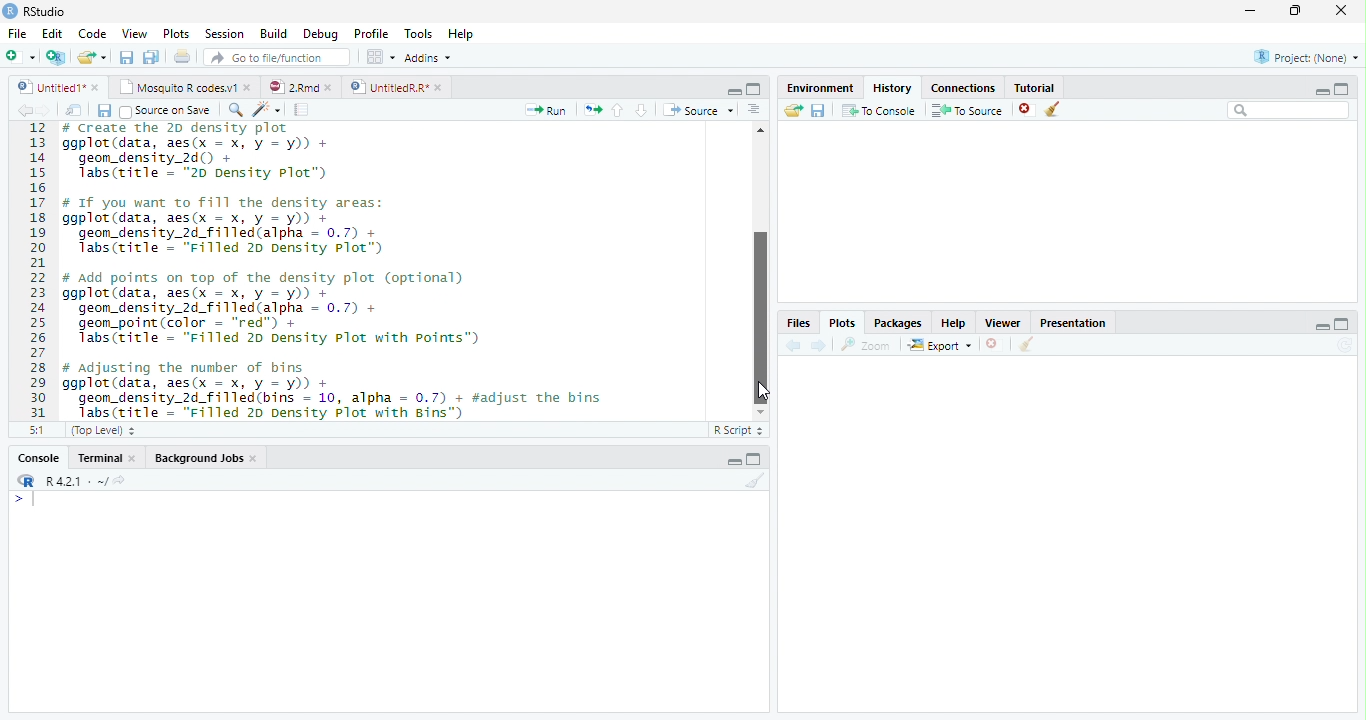 The width and height of the screenshot is (1366, 720). I want to click on GO to file/function, so click(273, 57).